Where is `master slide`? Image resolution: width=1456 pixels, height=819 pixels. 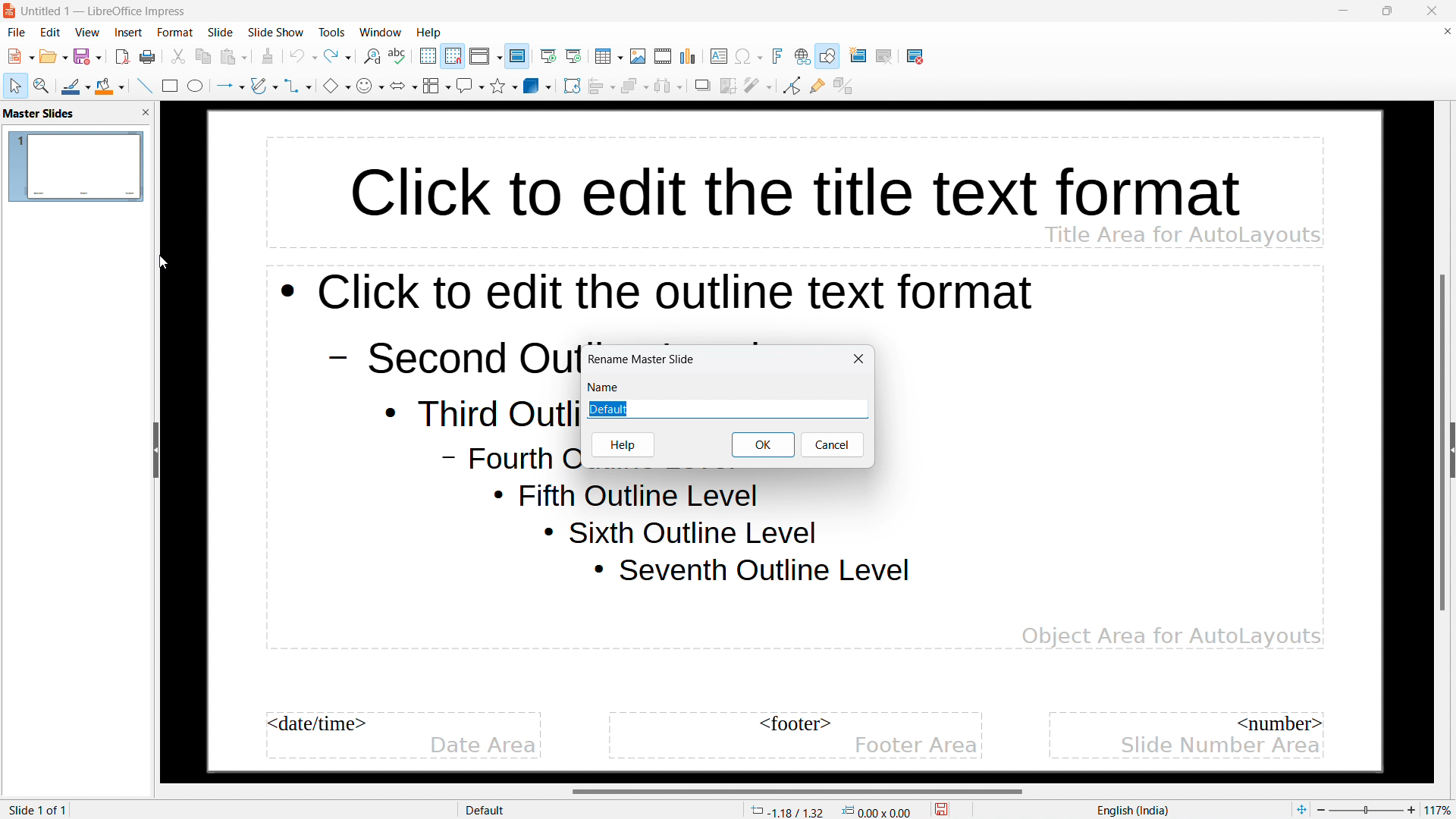 master slide is located at coordinates (518, 56).